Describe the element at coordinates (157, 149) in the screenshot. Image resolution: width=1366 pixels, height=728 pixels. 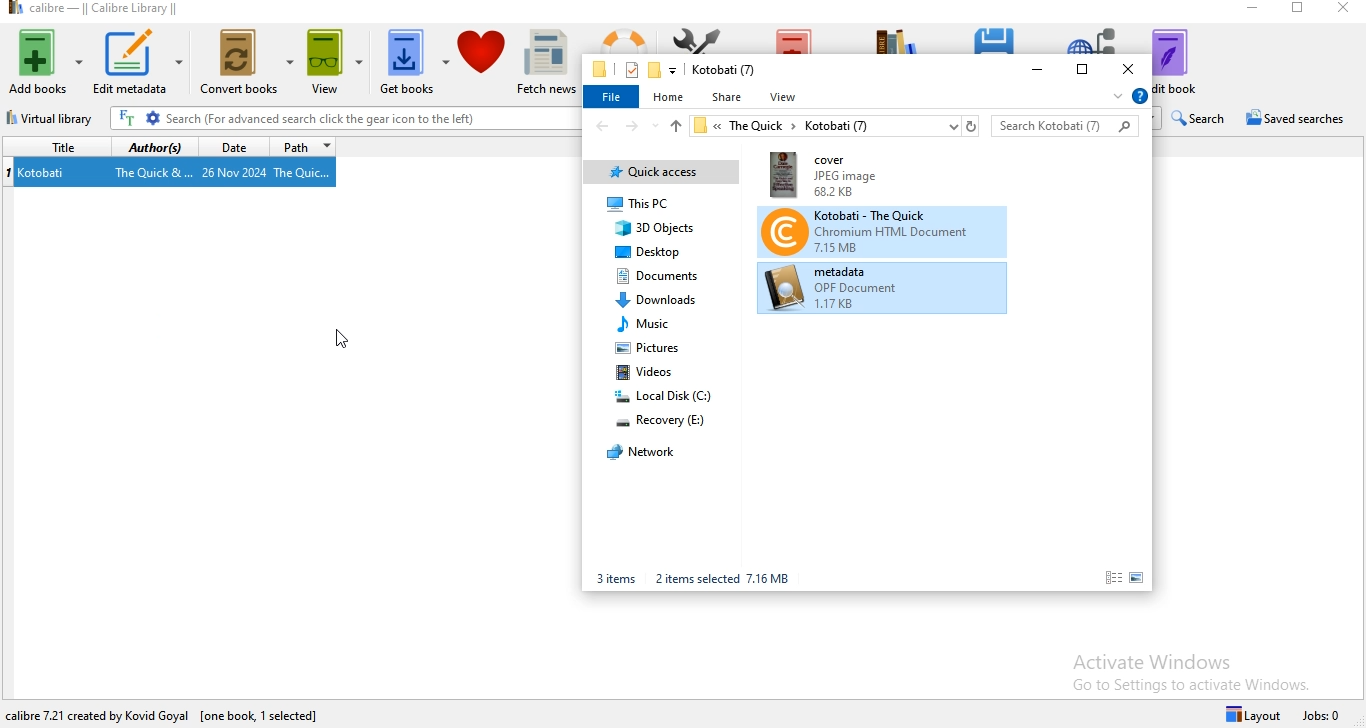
I see `author(s)` at that location.